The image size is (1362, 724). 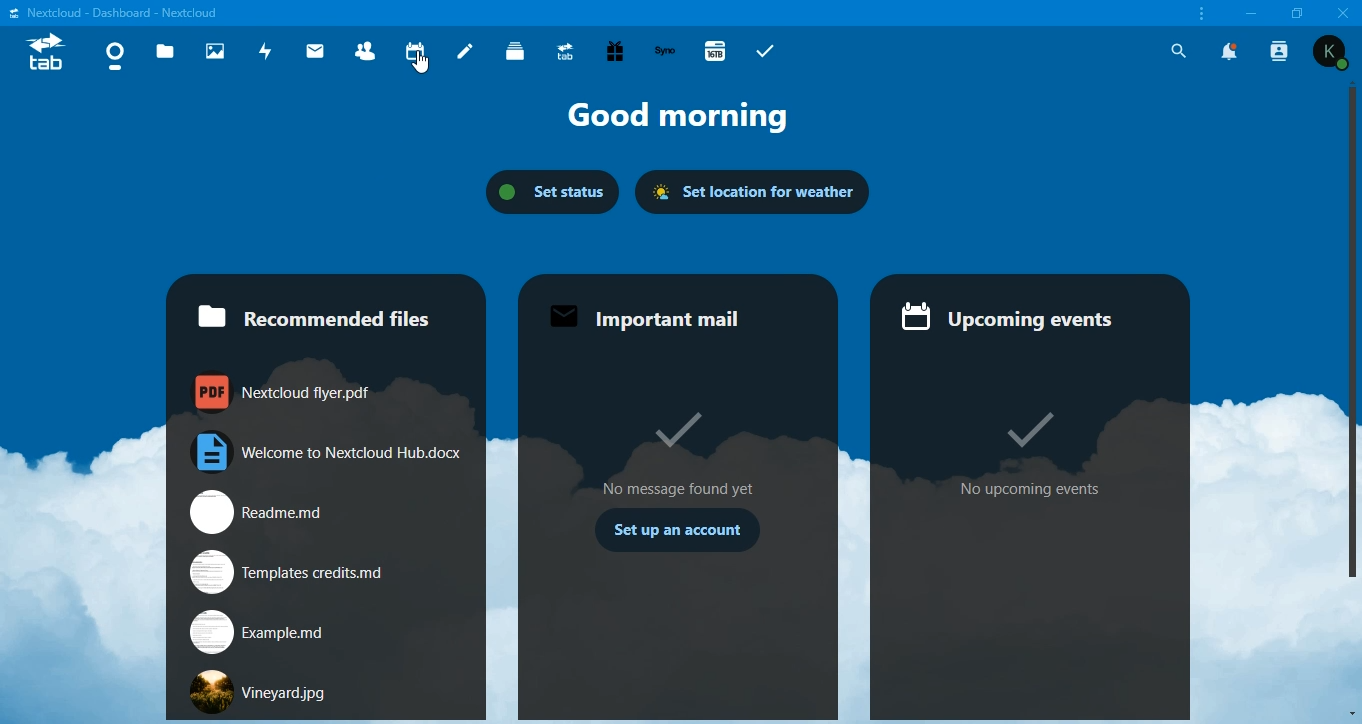 I want to click on close, so click(x=1342, y=12).